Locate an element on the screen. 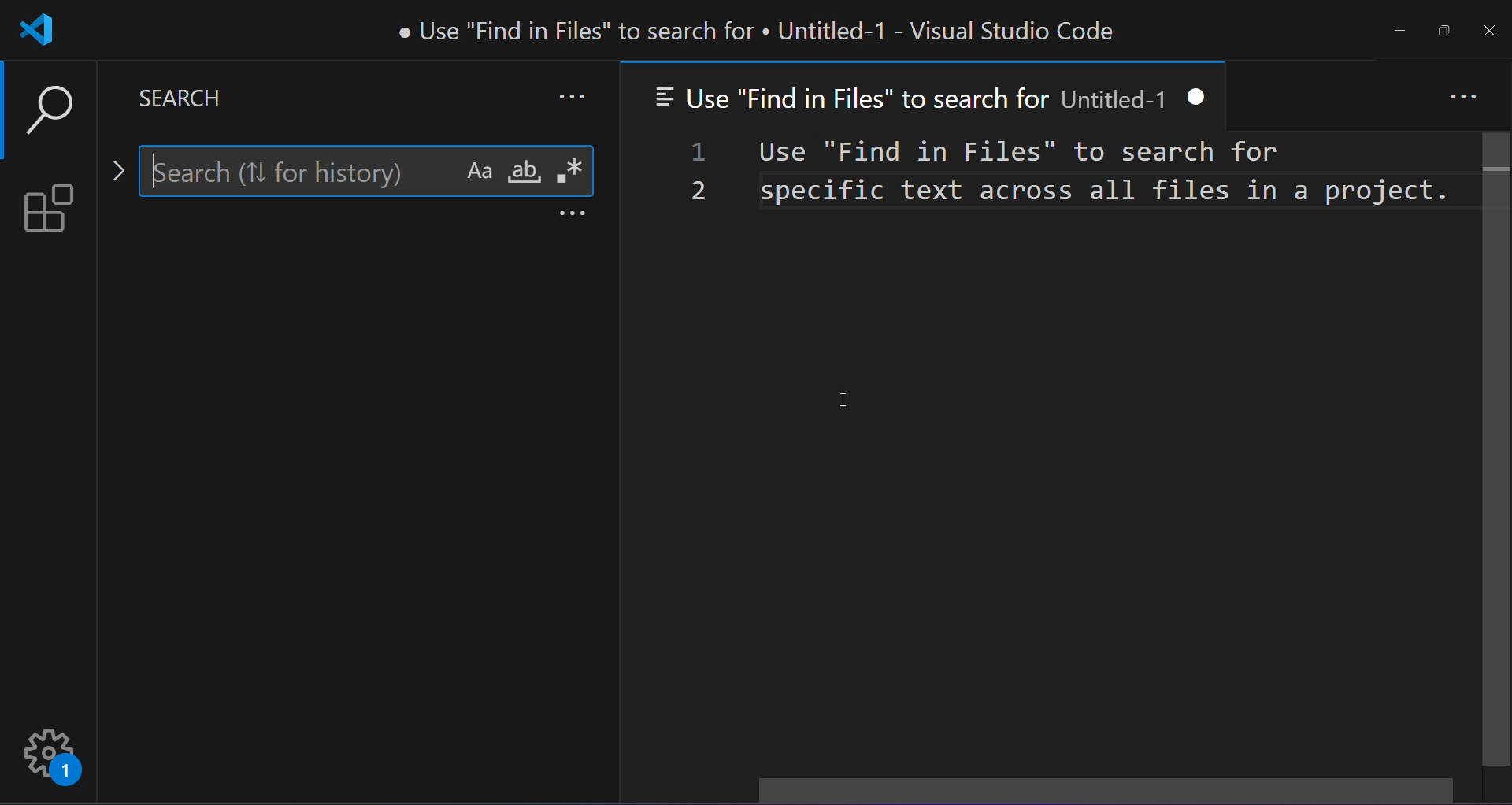  more options is located at coordinates (564, 215).